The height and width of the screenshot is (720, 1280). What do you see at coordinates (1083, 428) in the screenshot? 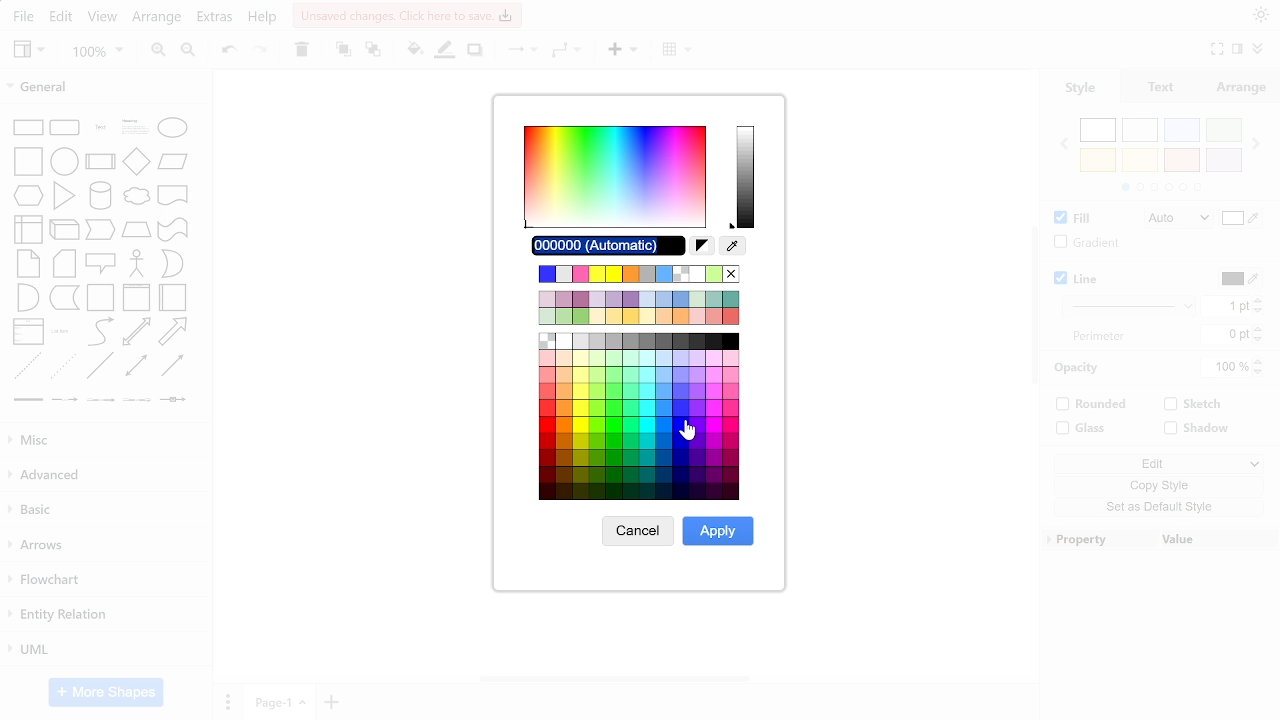
I see `glass` at bounding box center [1083, 428].